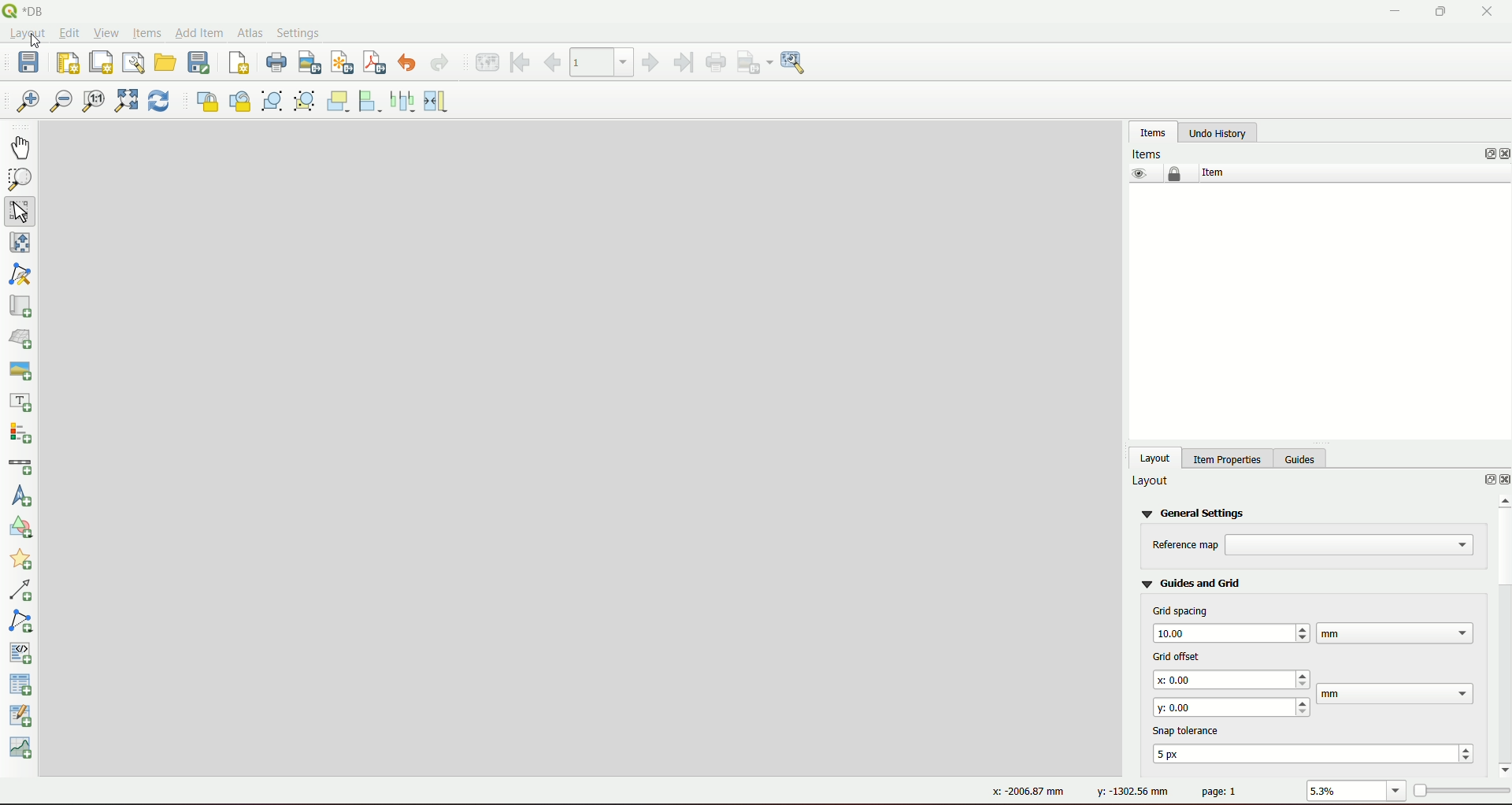 The width and height of the screenshot is (1512, 805). Describe the element at coordinates (1137, 173) in the screenshot. I see `eye` at that location.